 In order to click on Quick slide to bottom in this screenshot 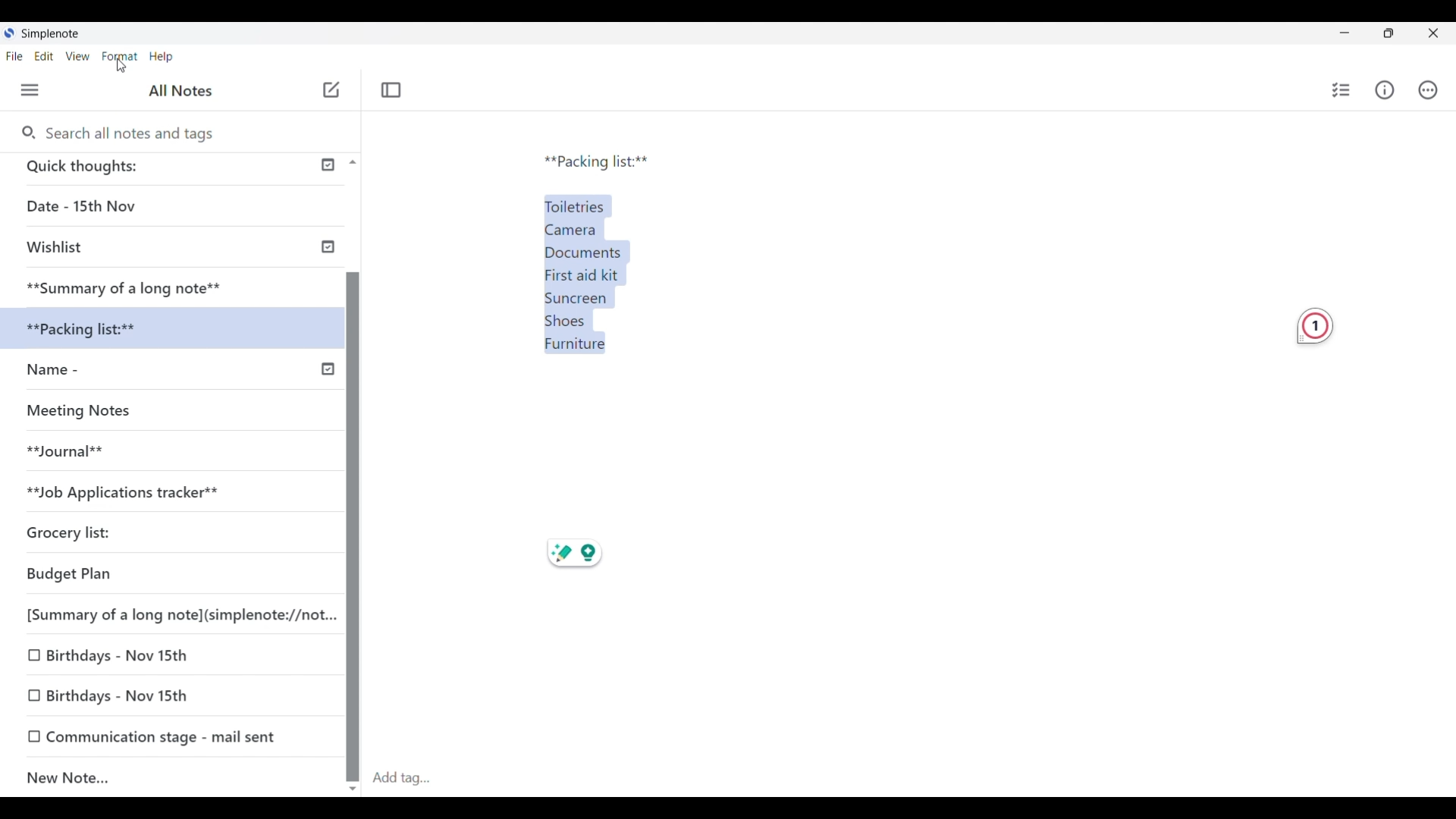, I will do `click(353, 789)`.